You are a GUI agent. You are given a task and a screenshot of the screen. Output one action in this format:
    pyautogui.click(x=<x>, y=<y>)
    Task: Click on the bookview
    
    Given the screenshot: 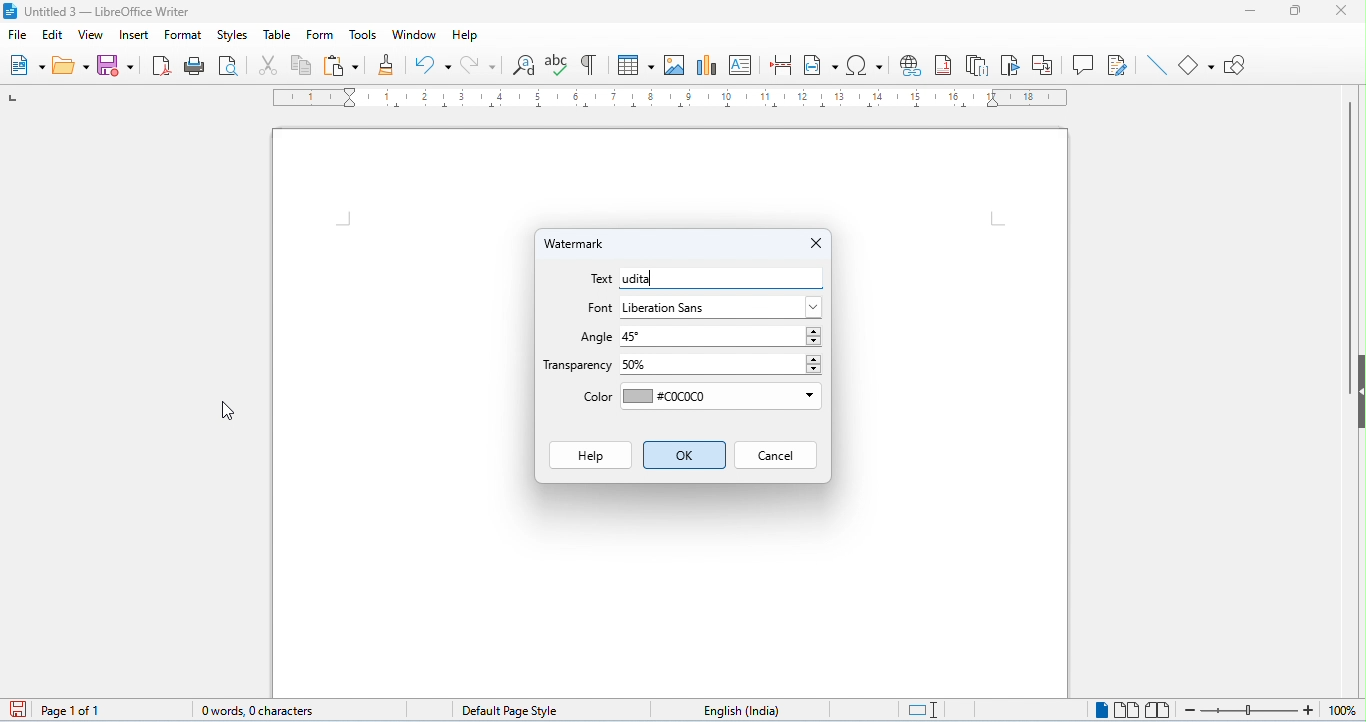 What is the action you would take?
    pyautogui.click(x=1161, y=710)
    